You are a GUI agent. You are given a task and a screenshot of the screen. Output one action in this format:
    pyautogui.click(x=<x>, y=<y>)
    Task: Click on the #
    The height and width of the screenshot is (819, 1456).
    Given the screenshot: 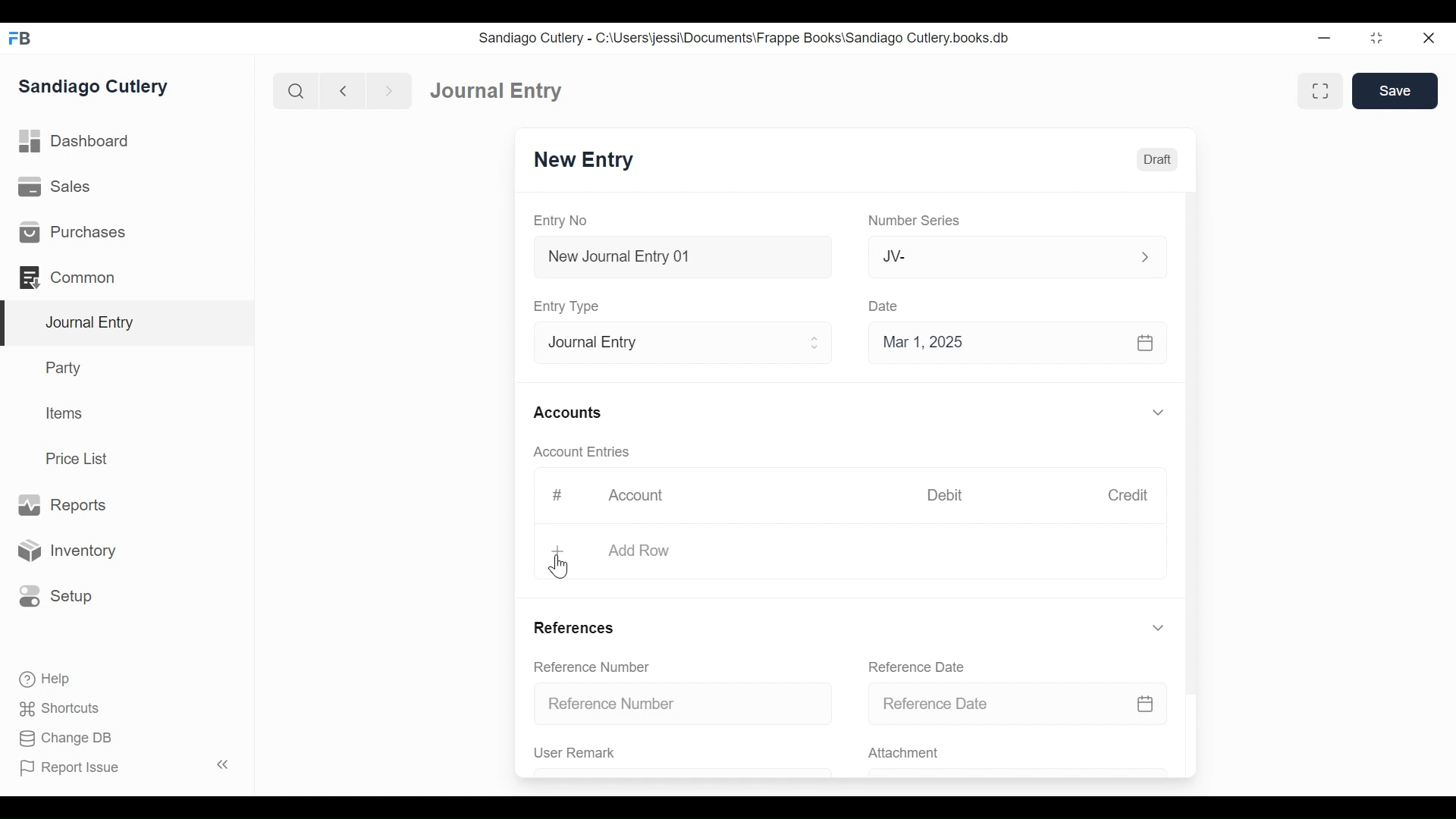 What is the action you would take?
    pyautogui.click(x=552, y=495)
    